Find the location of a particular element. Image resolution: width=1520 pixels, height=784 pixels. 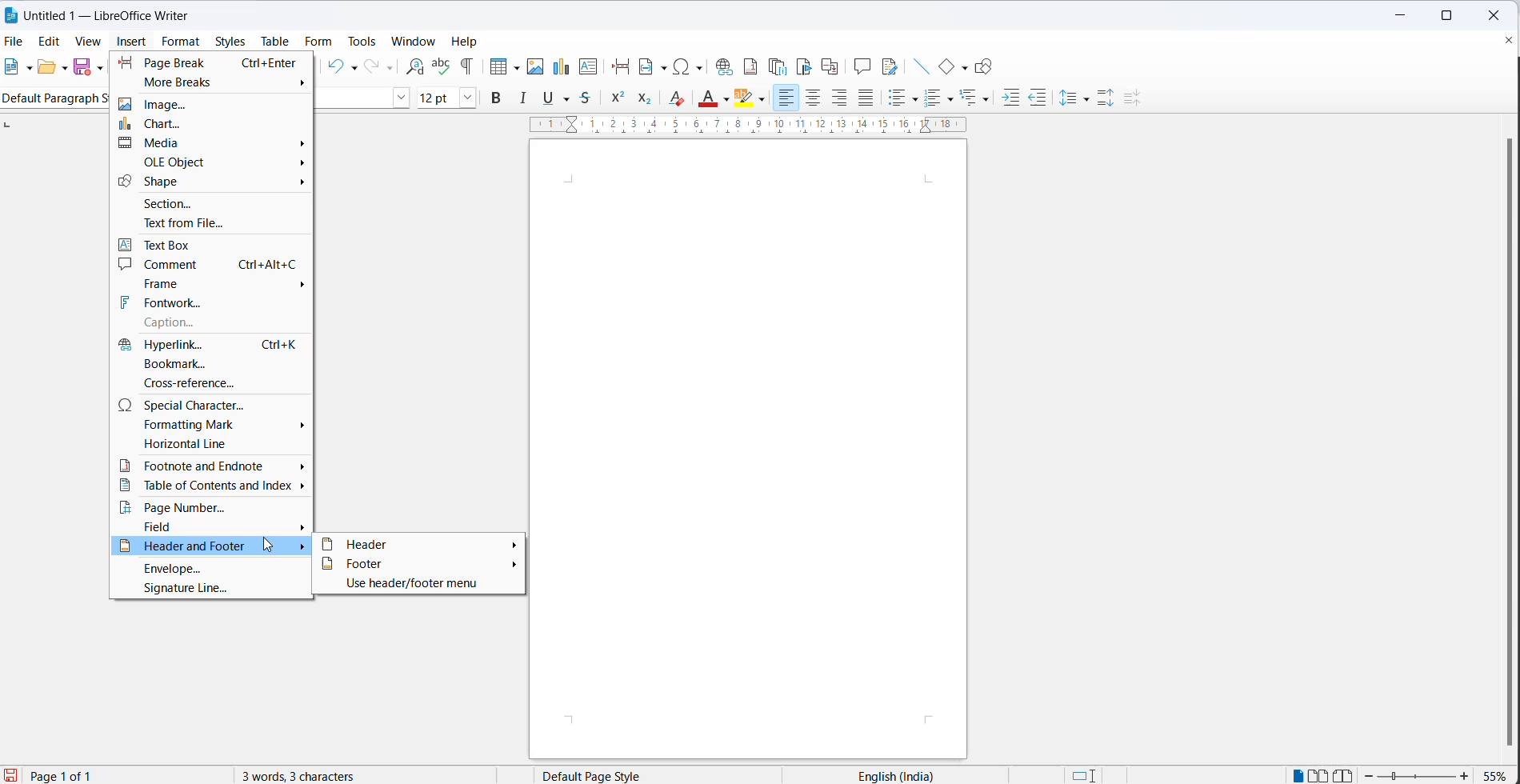

 is located at coordinates (212, 322).